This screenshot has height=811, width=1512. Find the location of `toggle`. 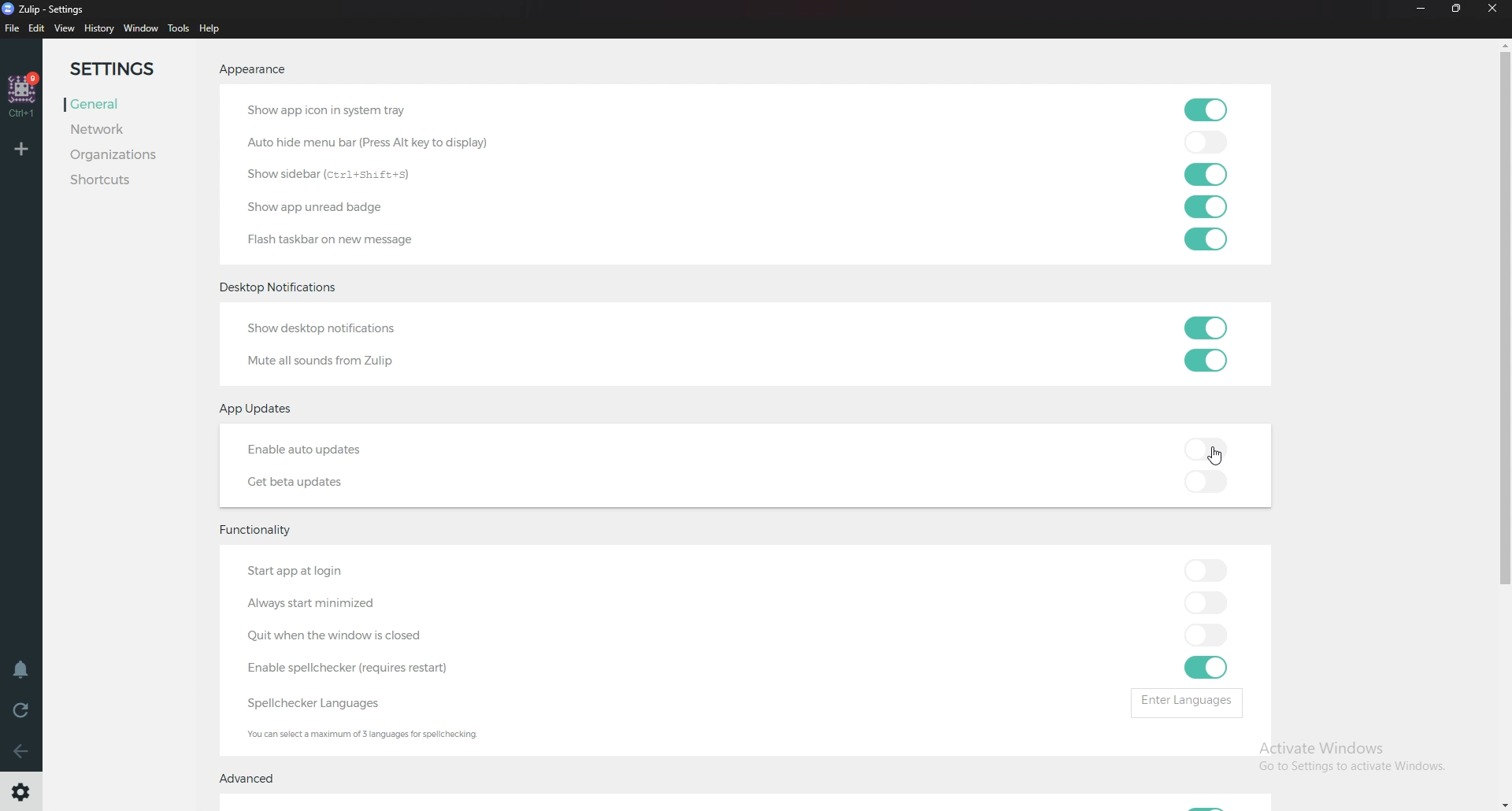

toggle is located at coordinates (1205, 602).